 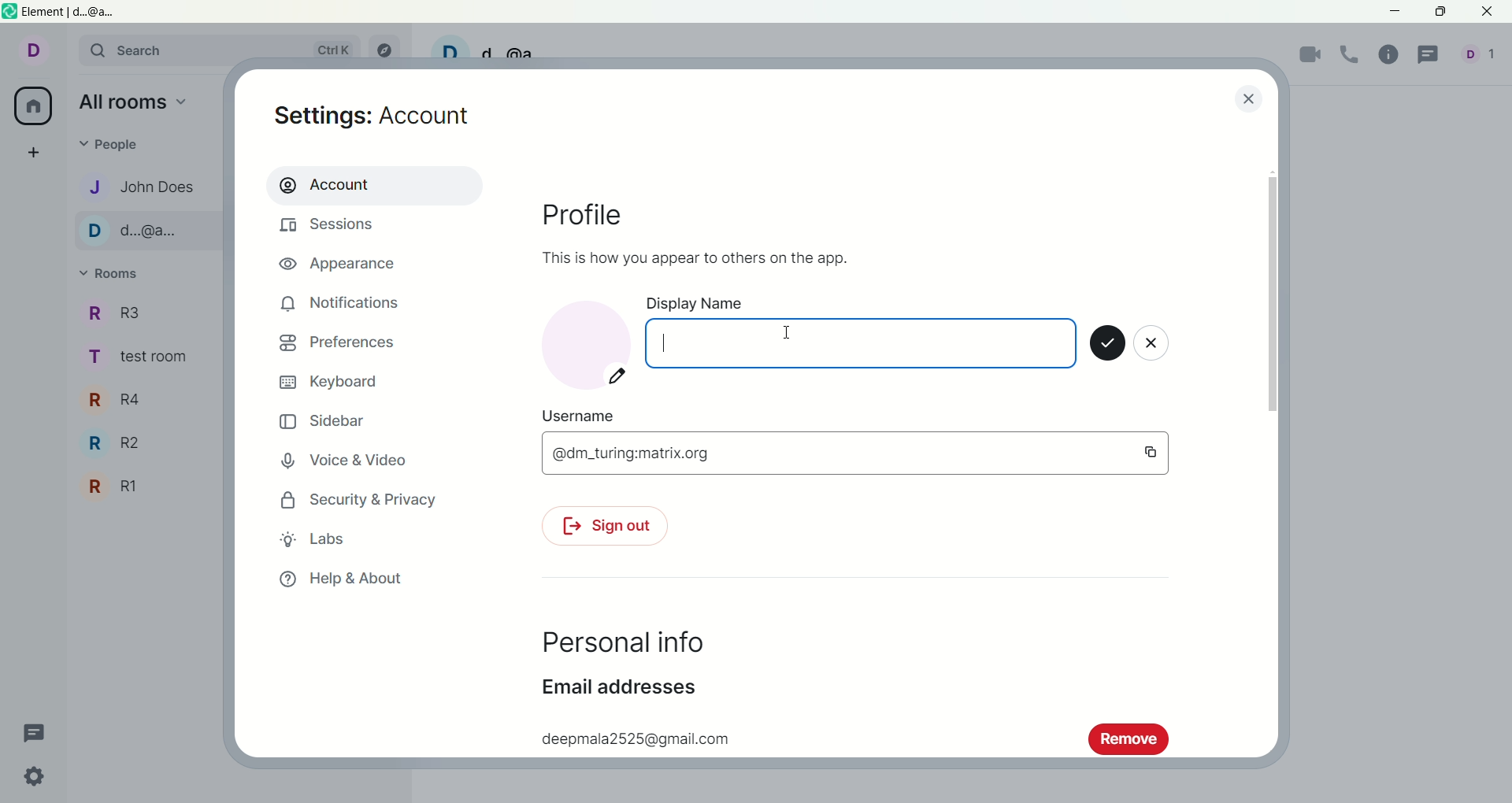 What do you see at coordinates (691, 257) in the screenshot?
I see `This is how you appear to others on the app` at bounding box center [691, 257].